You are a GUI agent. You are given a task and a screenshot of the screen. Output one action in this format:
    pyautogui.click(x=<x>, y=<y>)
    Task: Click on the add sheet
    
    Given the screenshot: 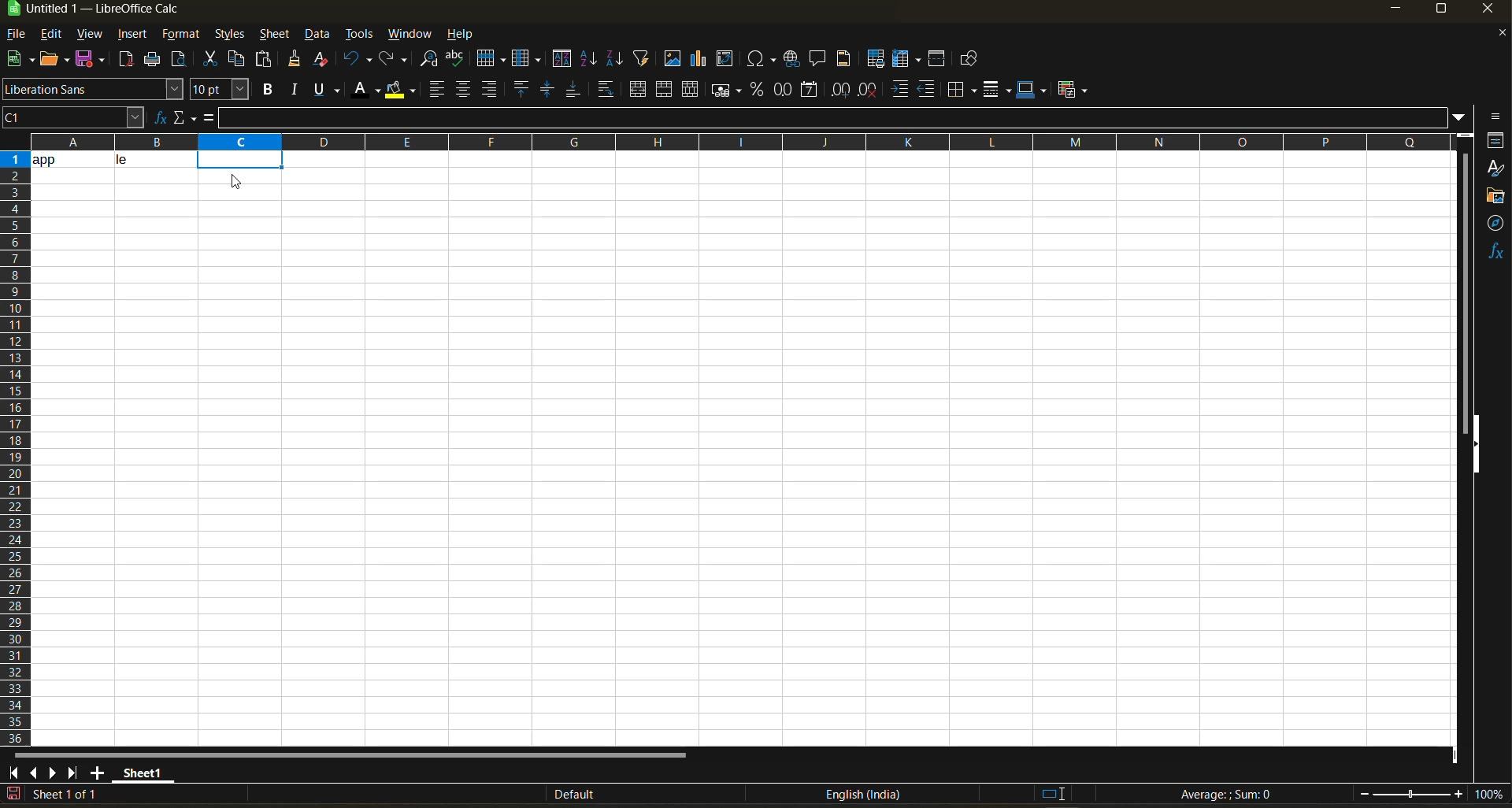 What is the action you would take?
    pyautogui.click(x=97, y=773)
    